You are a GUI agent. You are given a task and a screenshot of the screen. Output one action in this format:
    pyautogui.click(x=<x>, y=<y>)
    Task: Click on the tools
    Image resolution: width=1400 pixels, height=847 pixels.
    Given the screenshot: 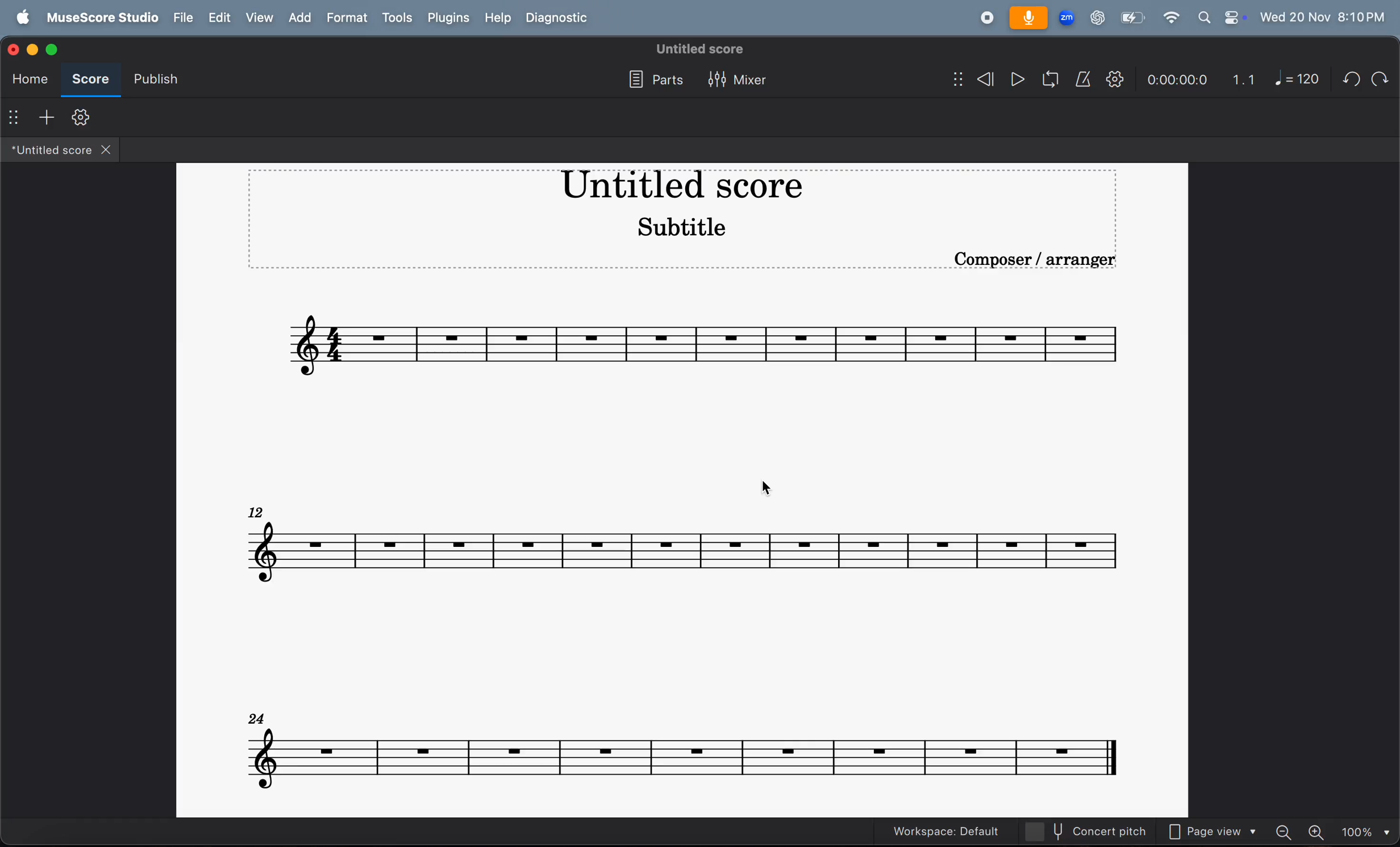 What is the action you would take?
    pyautogui.click(x=398, y=18)
    